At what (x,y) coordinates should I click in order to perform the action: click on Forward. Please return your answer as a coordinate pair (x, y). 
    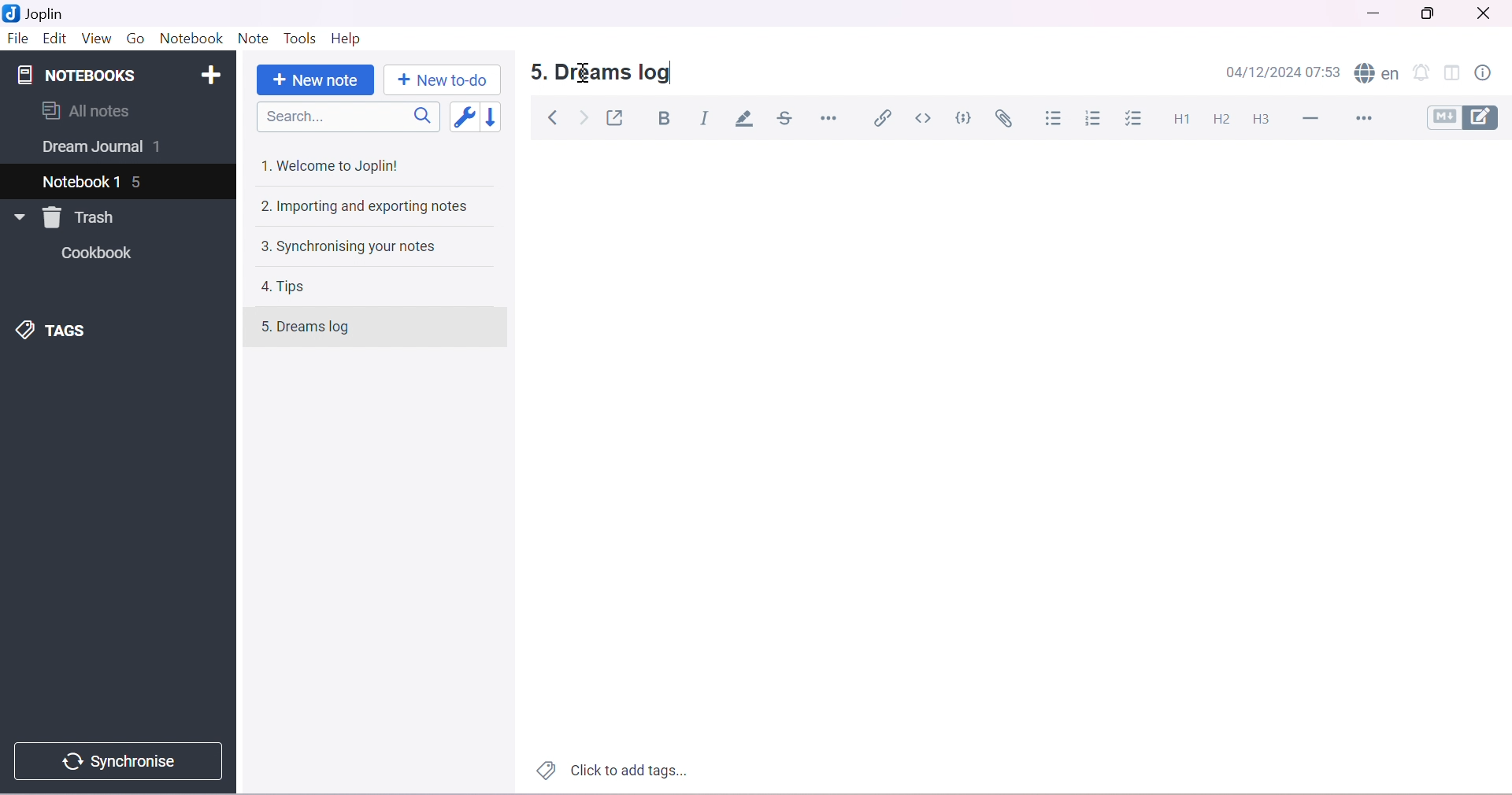
    Looking at the image, I should click on (584, 120).